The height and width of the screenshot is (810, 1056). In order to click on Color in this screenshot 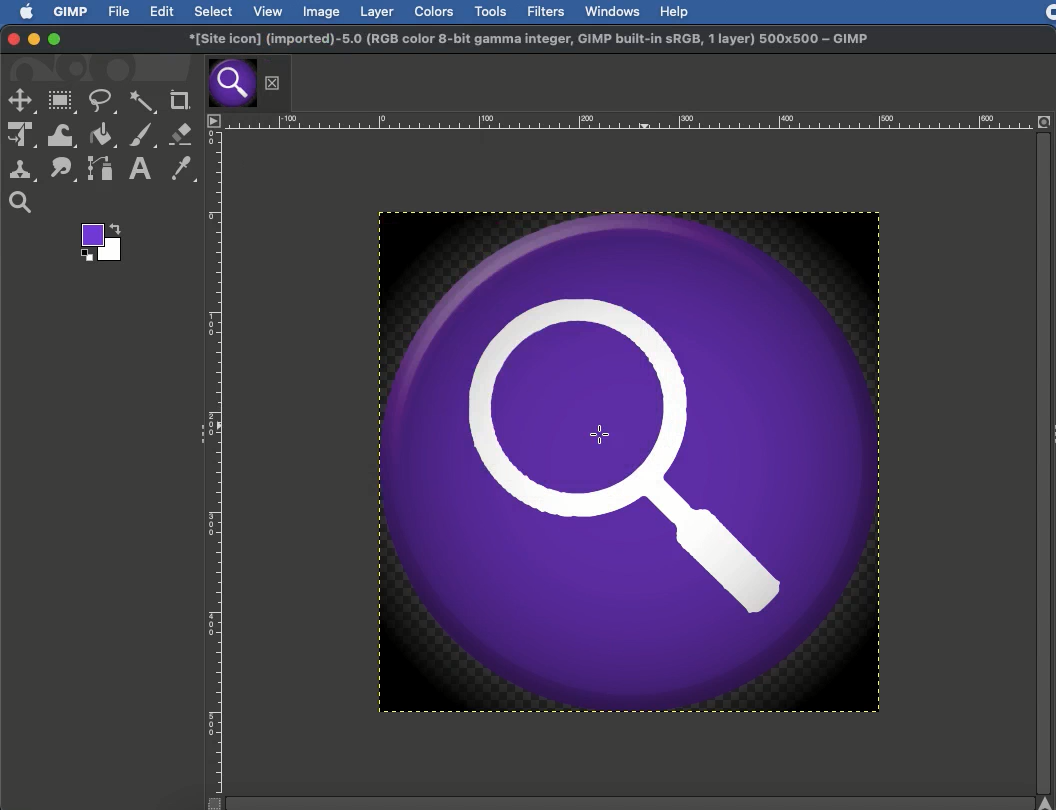, I will do `click(99, 243)`.